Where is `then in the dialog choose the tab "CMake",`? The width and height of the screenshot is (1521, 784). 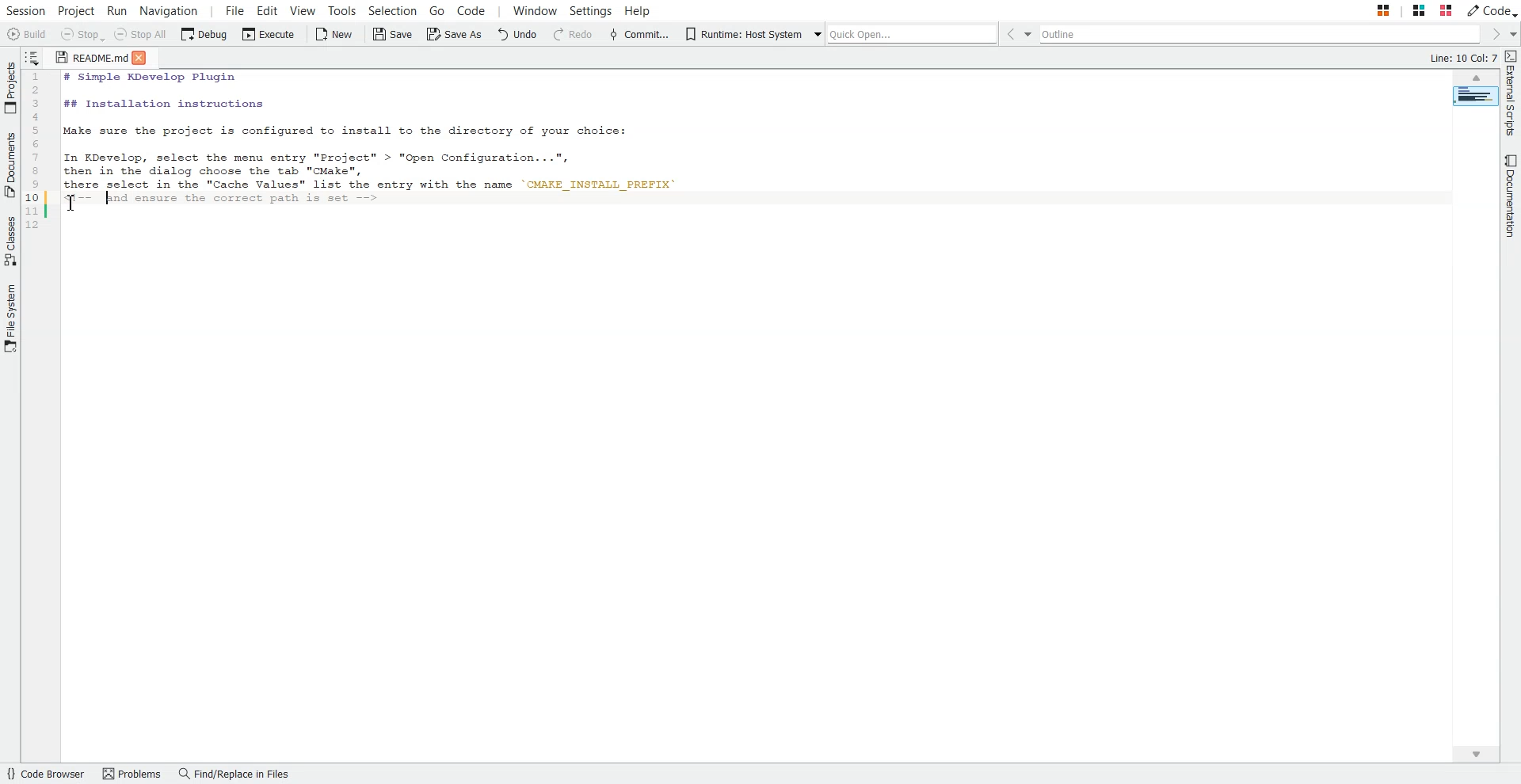
then in the dialog choose the tab "CMake", is located at coordinates (223, 171).